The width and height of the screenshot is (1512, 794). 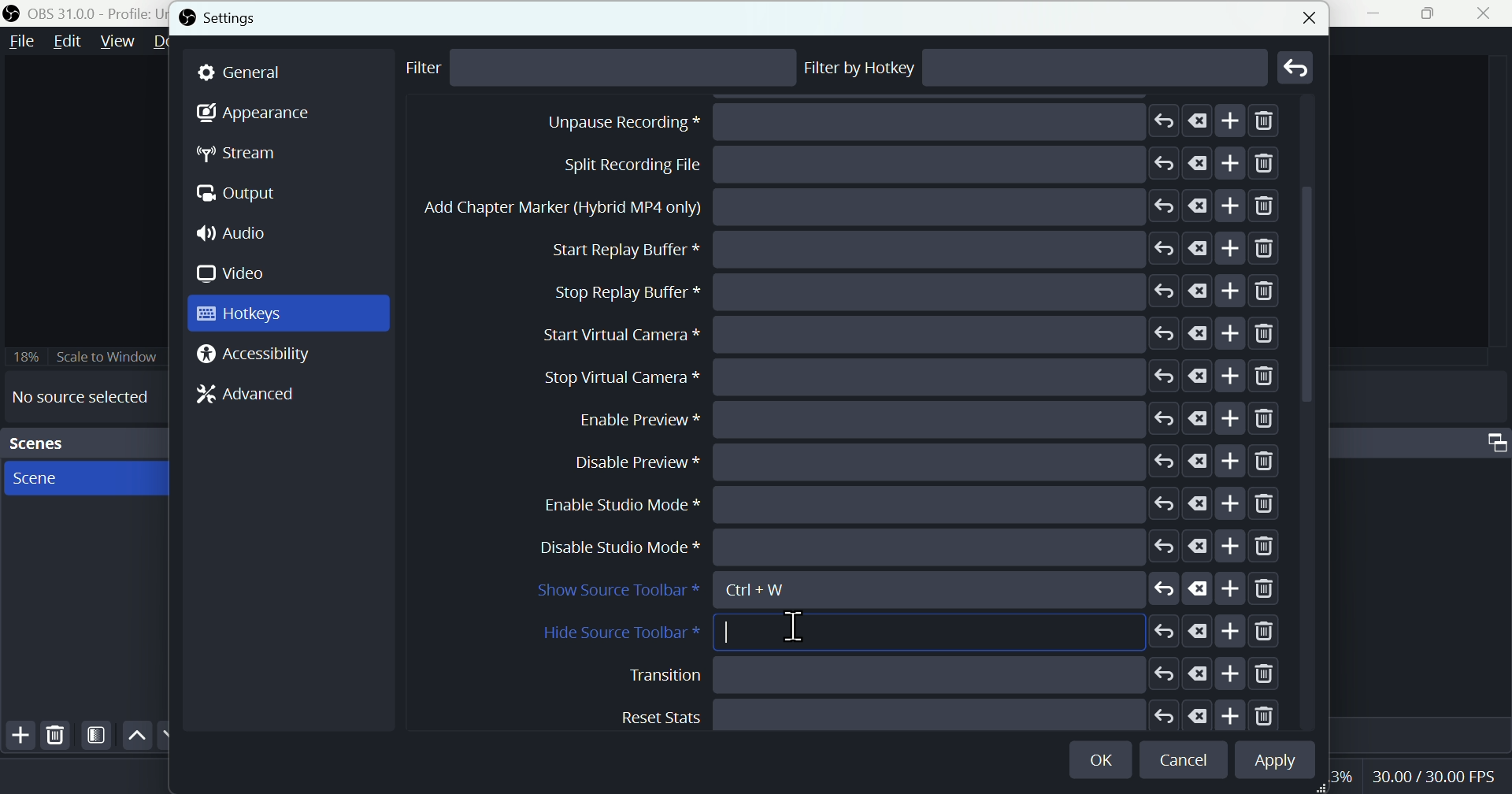 What do you see at coordinates (771, 588) in the screenshot?
I see `CTRL+W` at bounding box center [771, 588].